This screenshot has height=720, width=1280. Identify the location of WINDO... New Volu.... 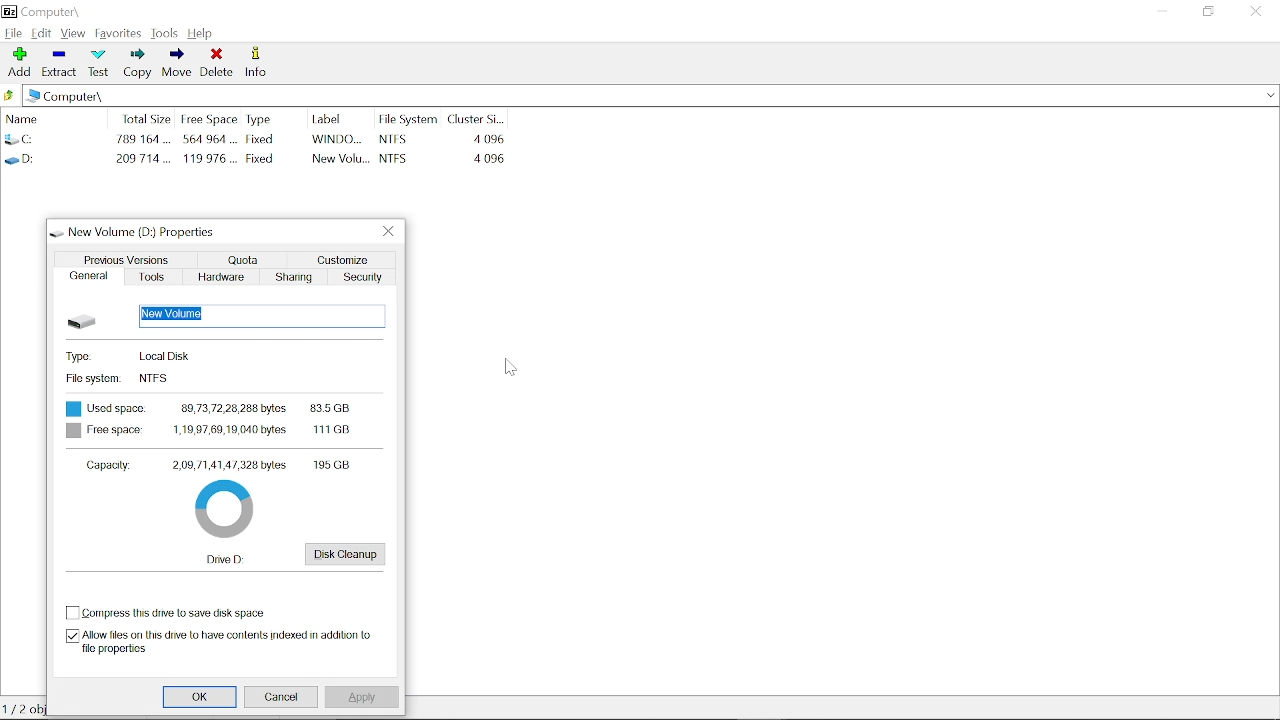
(341, 151).